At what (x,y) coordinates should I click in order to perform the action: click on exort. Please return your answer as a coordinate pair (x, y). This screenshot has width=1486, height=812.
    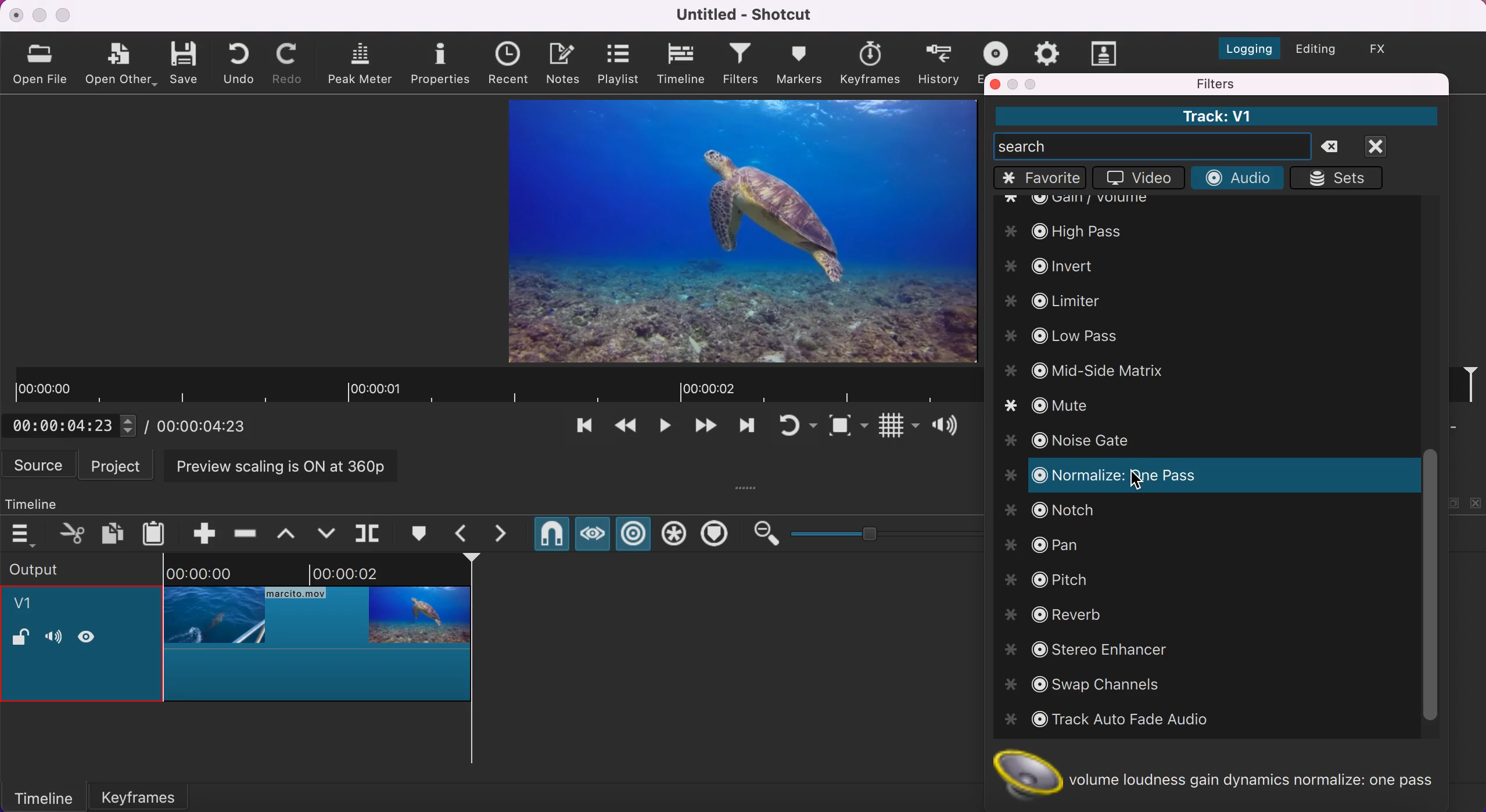
    Looking at the image, I should click on (999, 51).